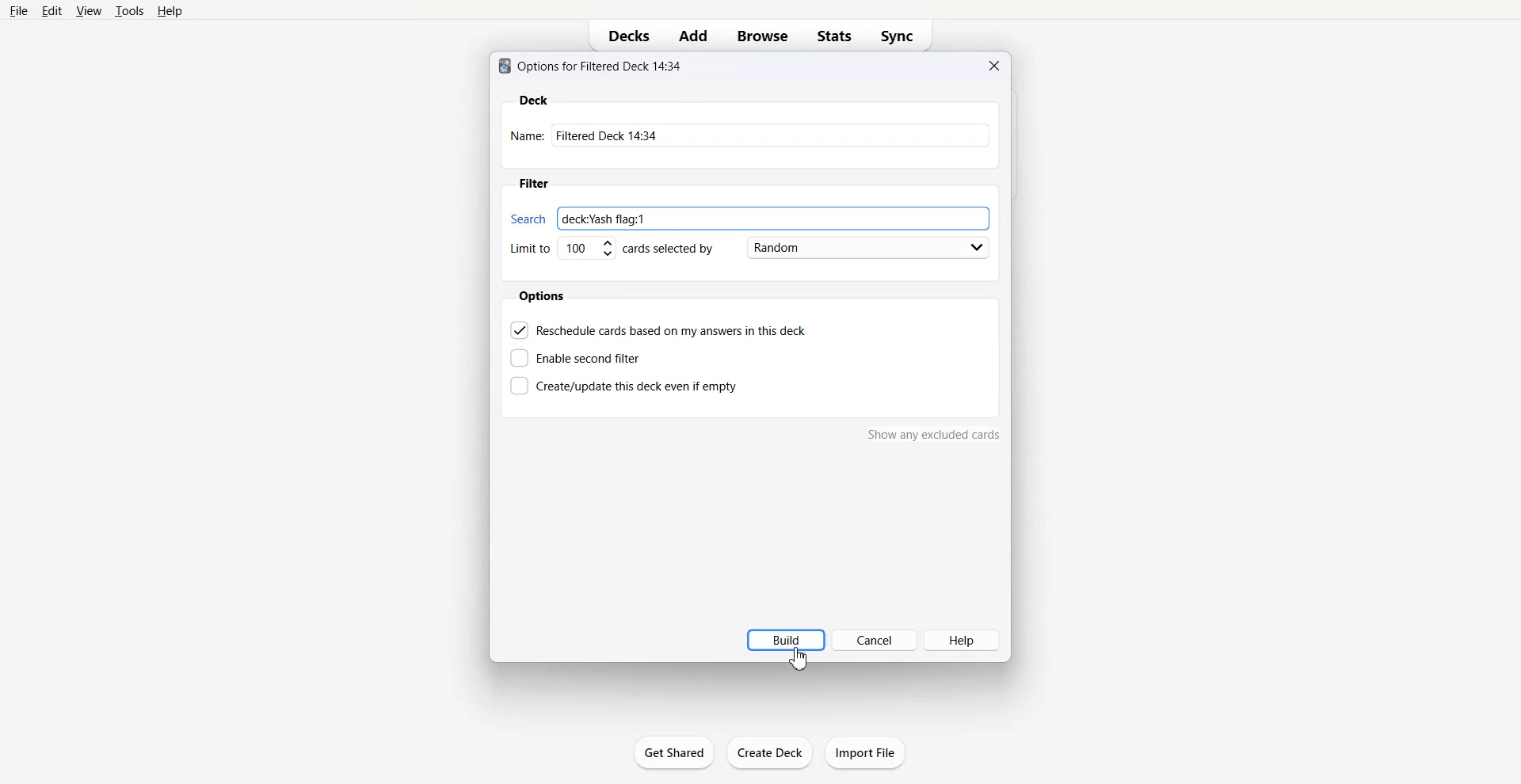  I want to click on Limit to value cards selected by, so click(614, 249).